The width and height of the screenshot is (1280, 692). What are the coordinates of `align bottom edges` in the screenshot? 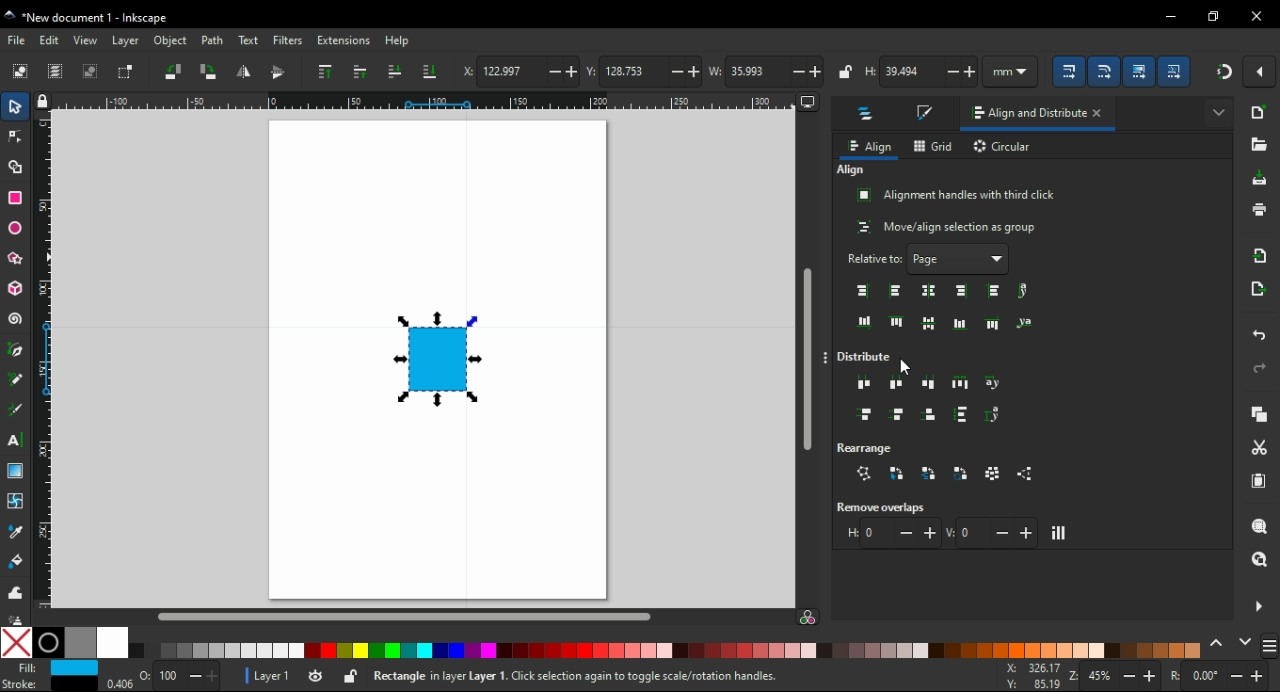 It's located at (929, 324).